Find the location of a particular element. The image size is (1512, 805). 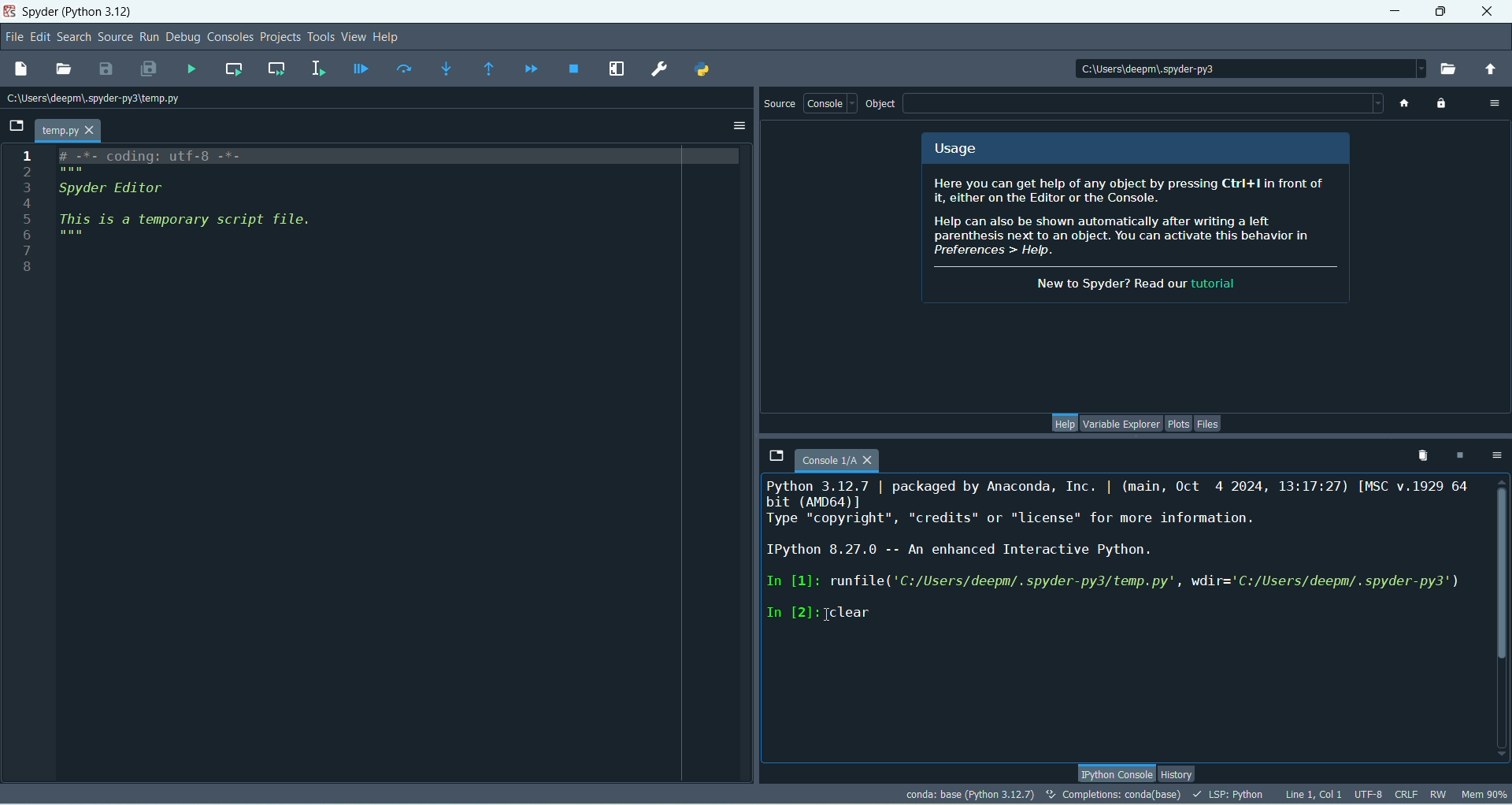

location is located at coordinates (1240, 67).